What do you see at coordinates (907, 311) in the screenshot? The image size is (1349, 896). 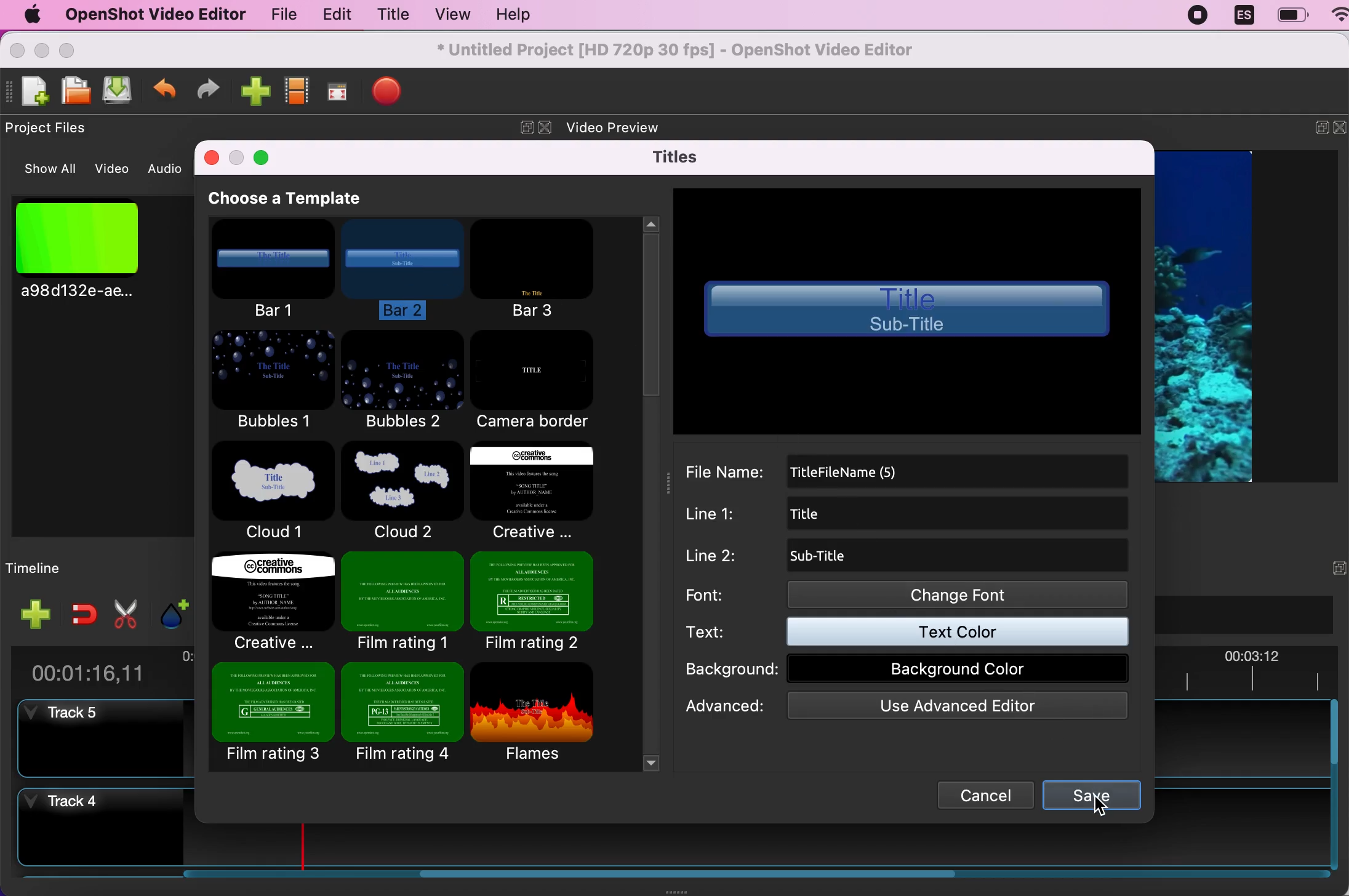 I see `bar 2 title` at bounding box center [907, 311].